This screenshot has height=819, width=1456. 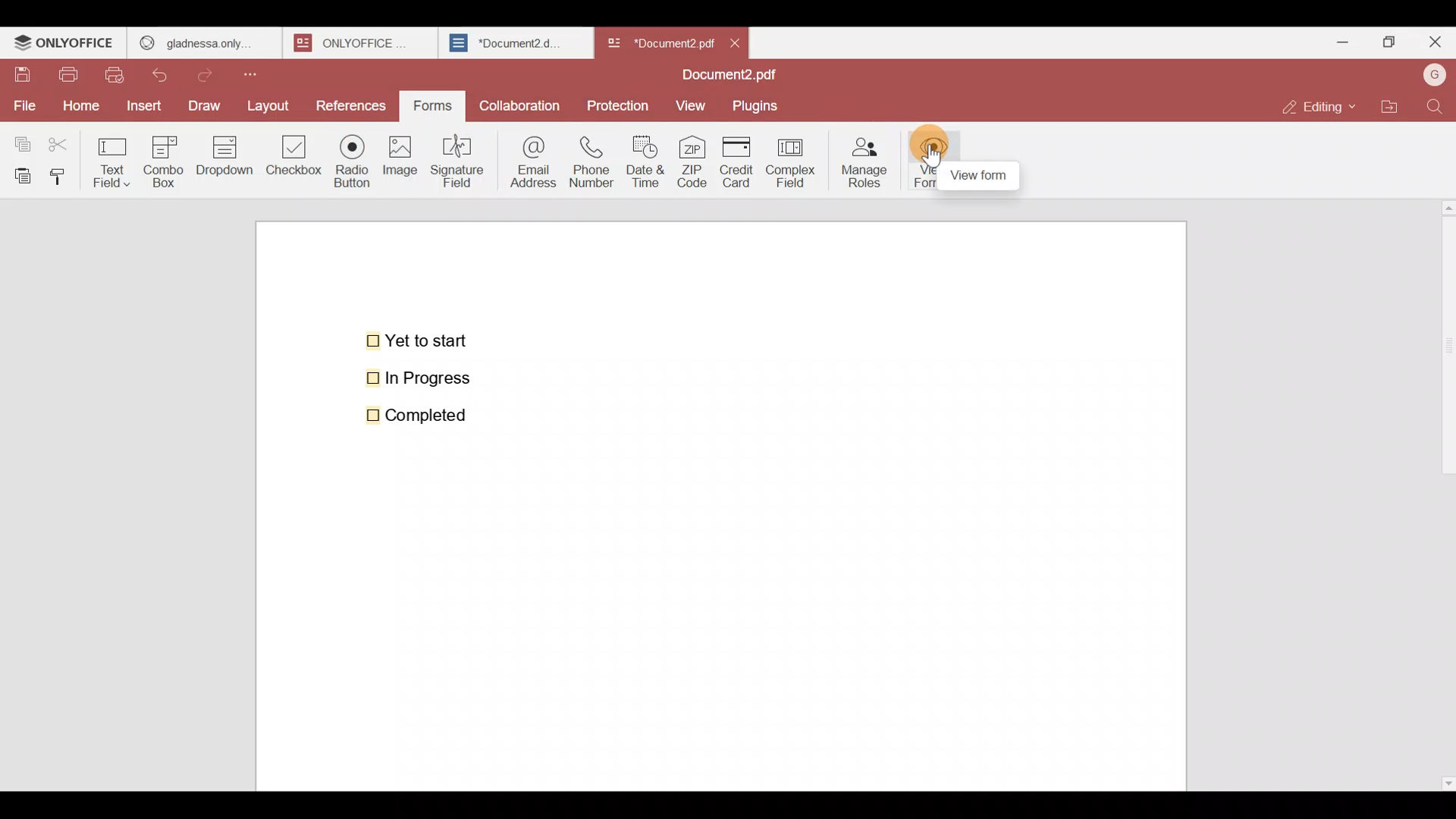 What do you see at coordinates (71, 76) in the screenshot?
I see `Print file` at bounding box center [71, 76].